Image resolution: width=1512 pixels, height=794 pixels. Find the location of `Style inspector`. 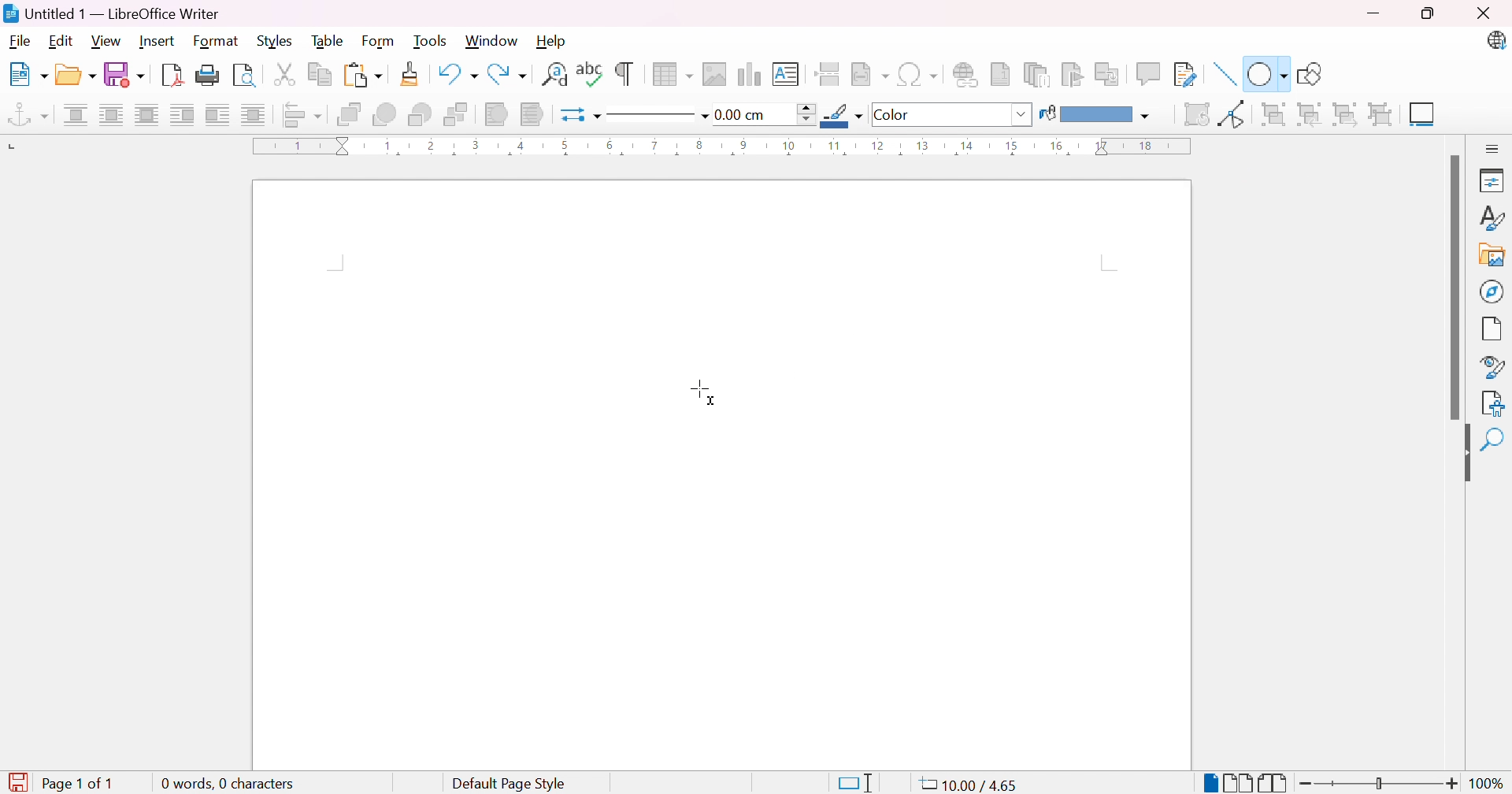

Style inspector is located at coordinates (1494, 368).